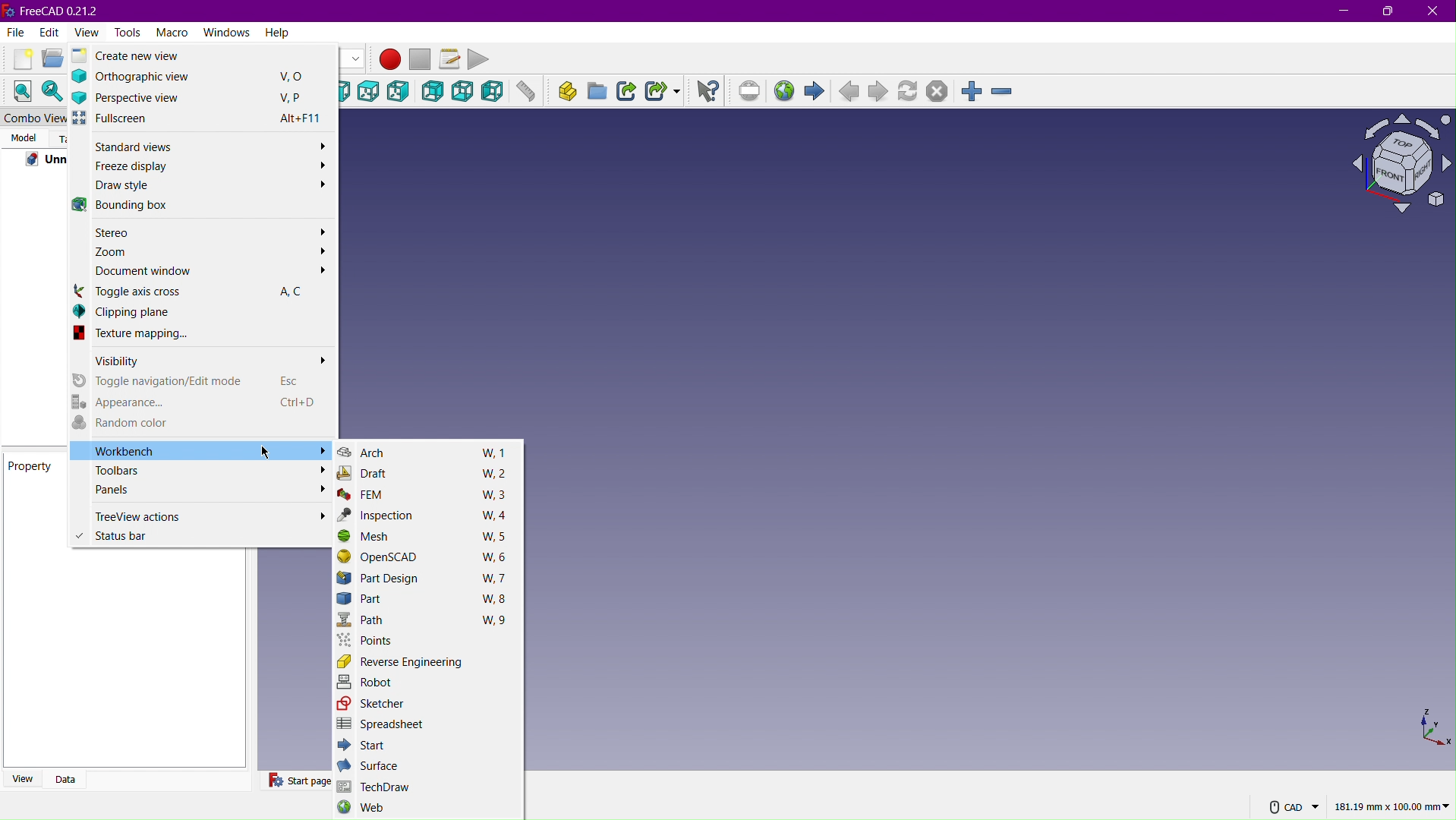 This screenshot has height=820, width=1456. Describe the element at coordinates (495, 93) in the screenshot. I see `Left` at that location.